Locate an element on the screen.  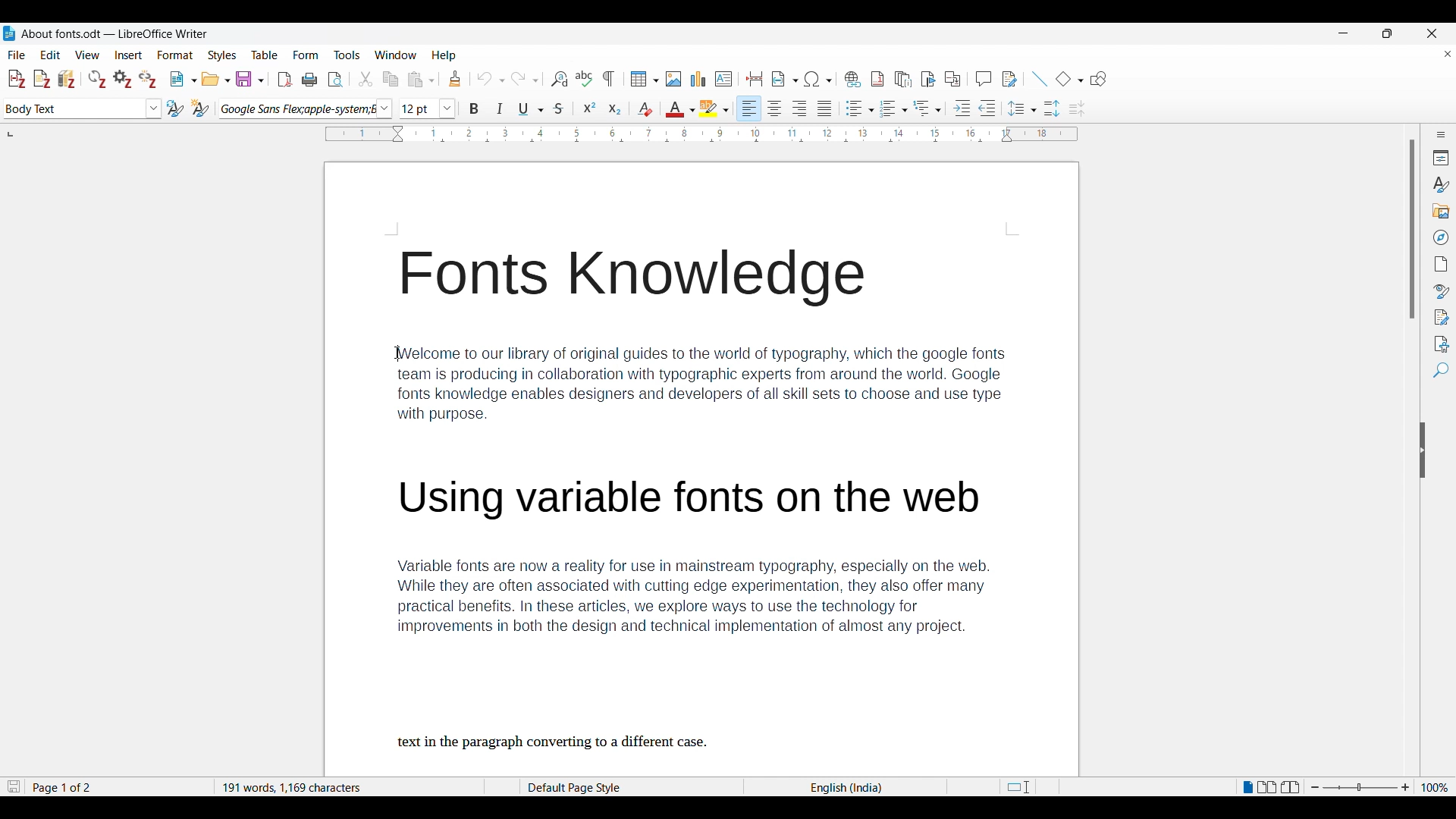
Gallery  is located at coordinates (1442, 211).